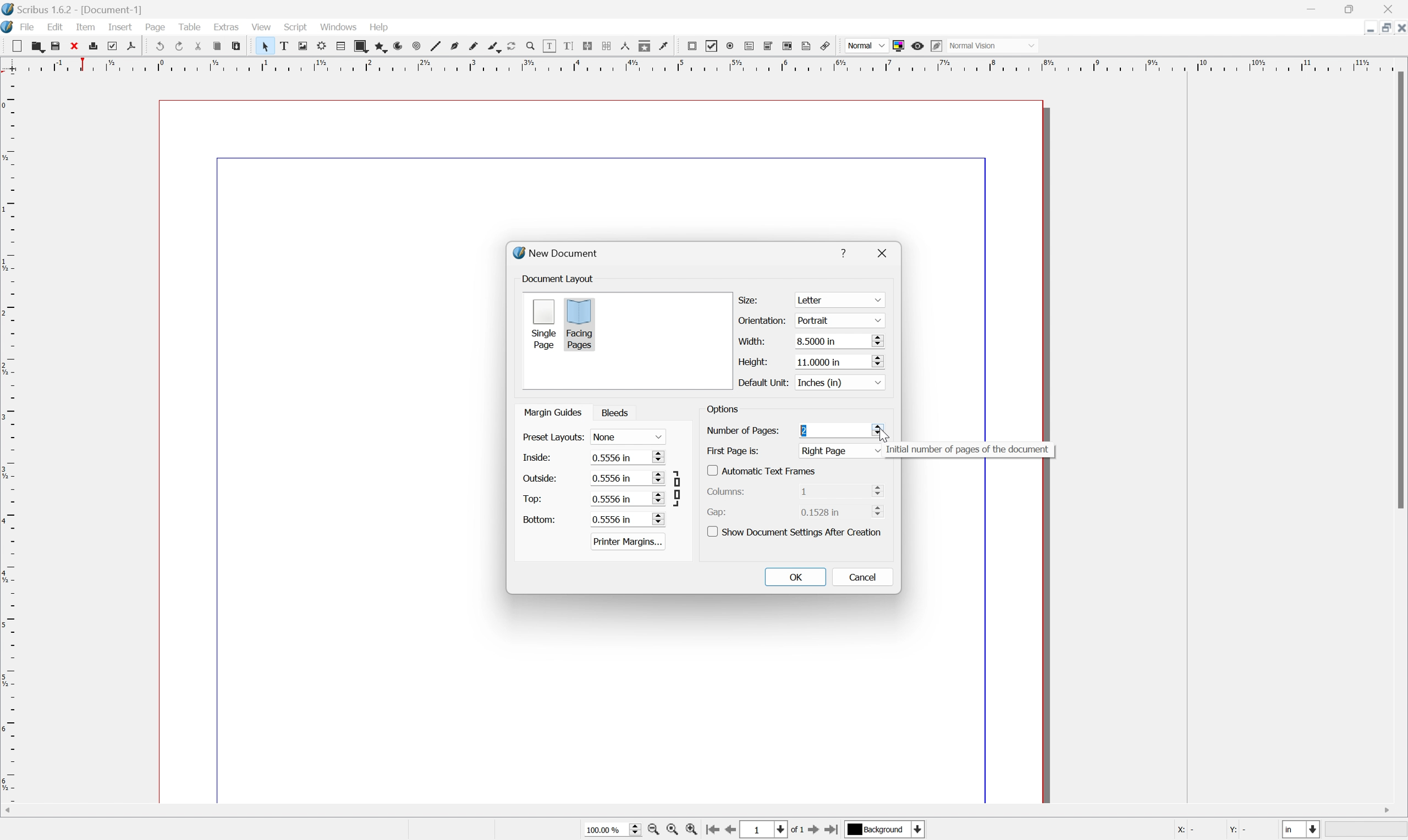 This screenshot has height=840, width=1408. Describe the element at coordinates (722, 411) in the screenshot. I see `Options` at that location.